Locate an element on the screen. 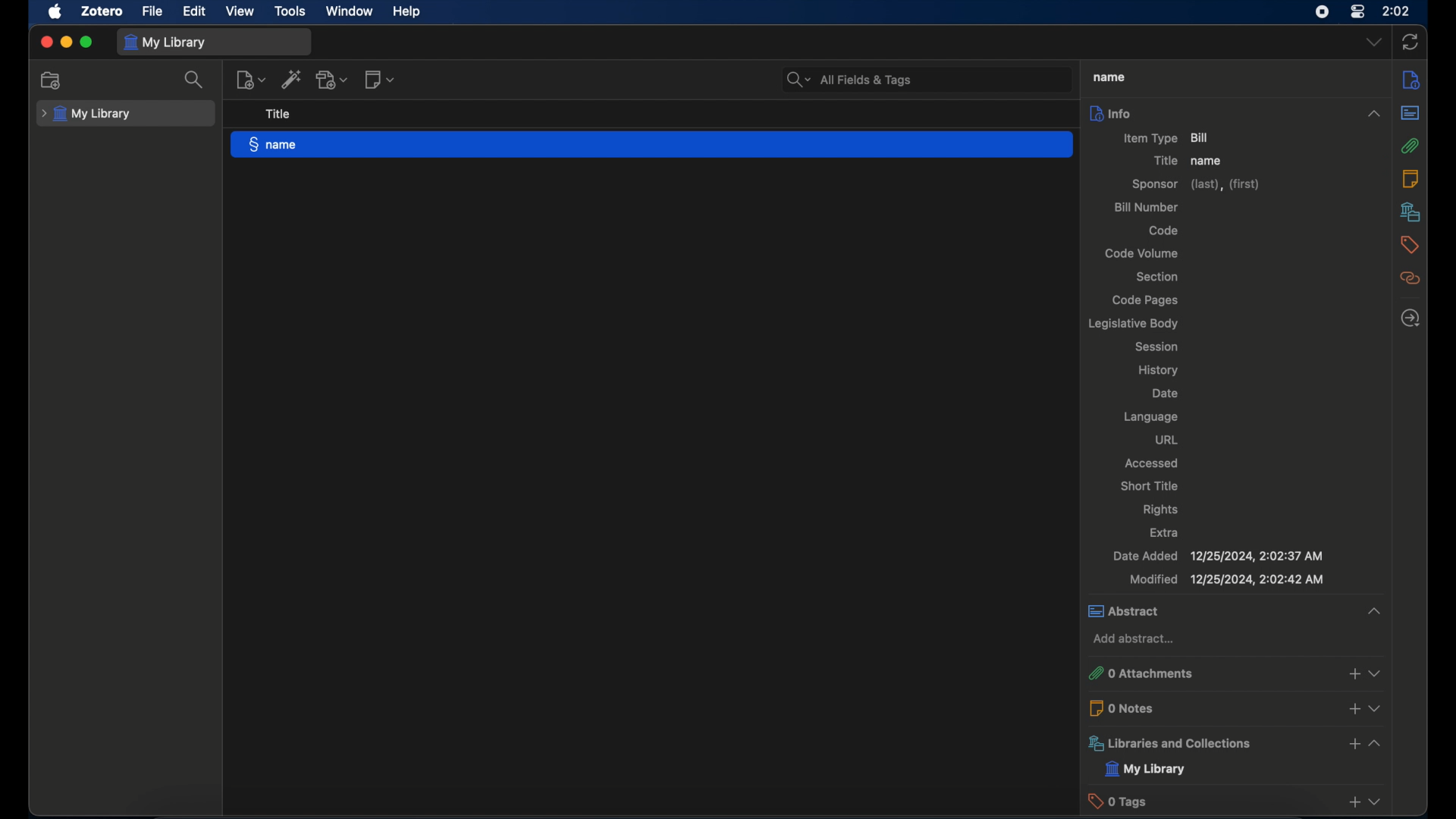  info is located at coordinates (1237, 114).